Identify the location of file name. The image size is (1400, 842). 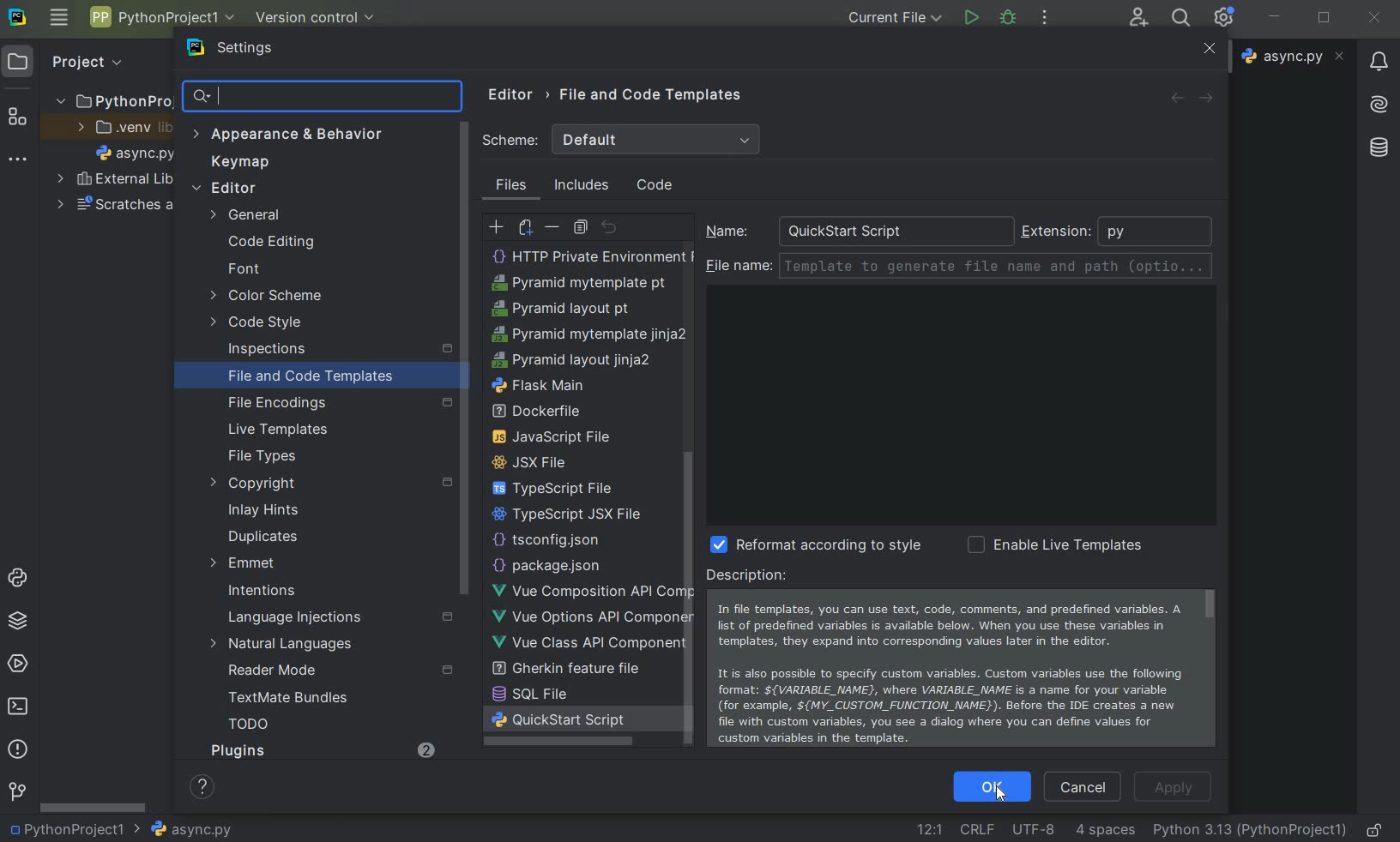
(194, 831).